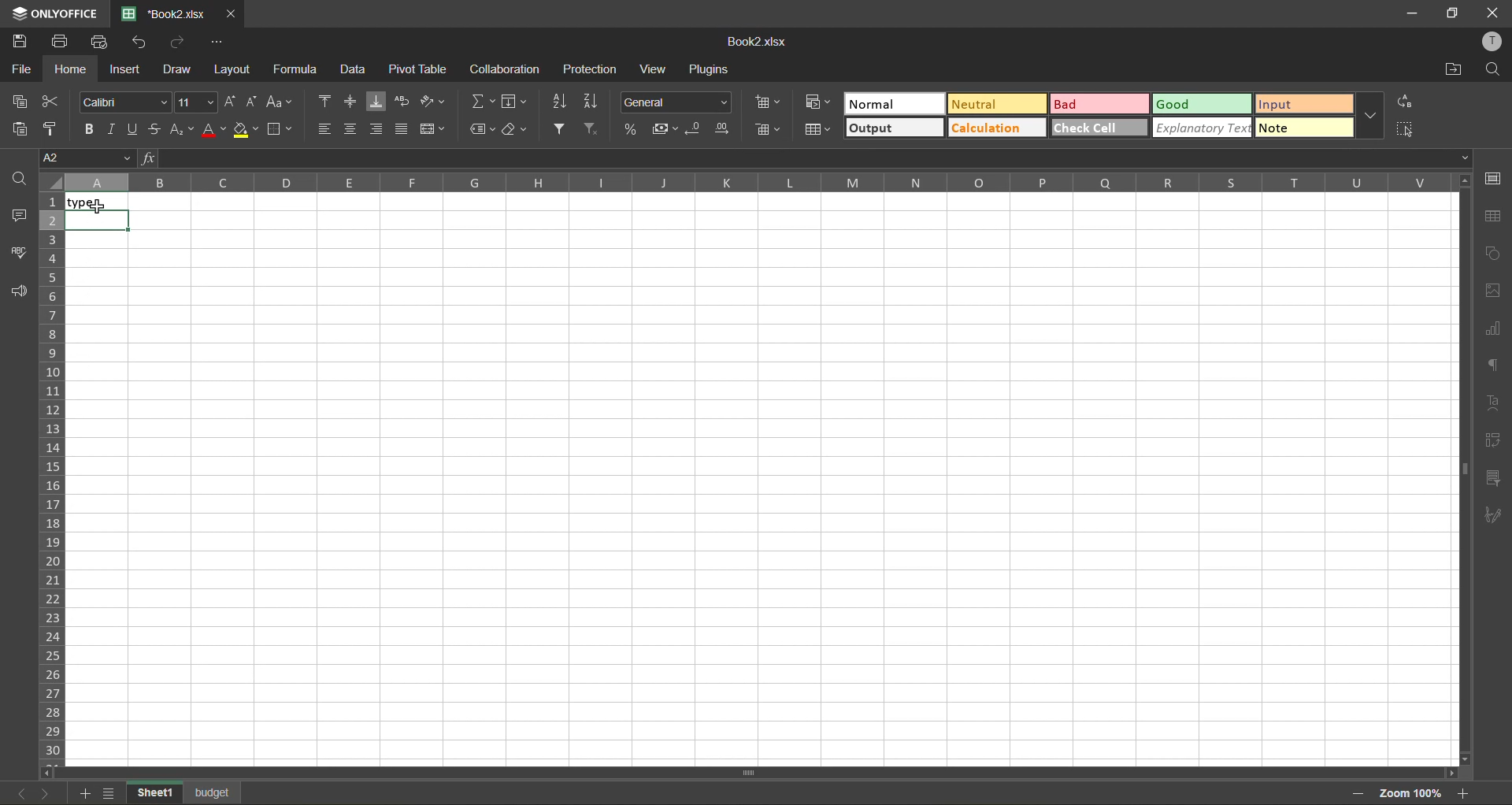 The width and height of the screenshot is (1512, 805). Describe the element at coordinates (1496, 400) in the screenshot. I see `text` at that location.